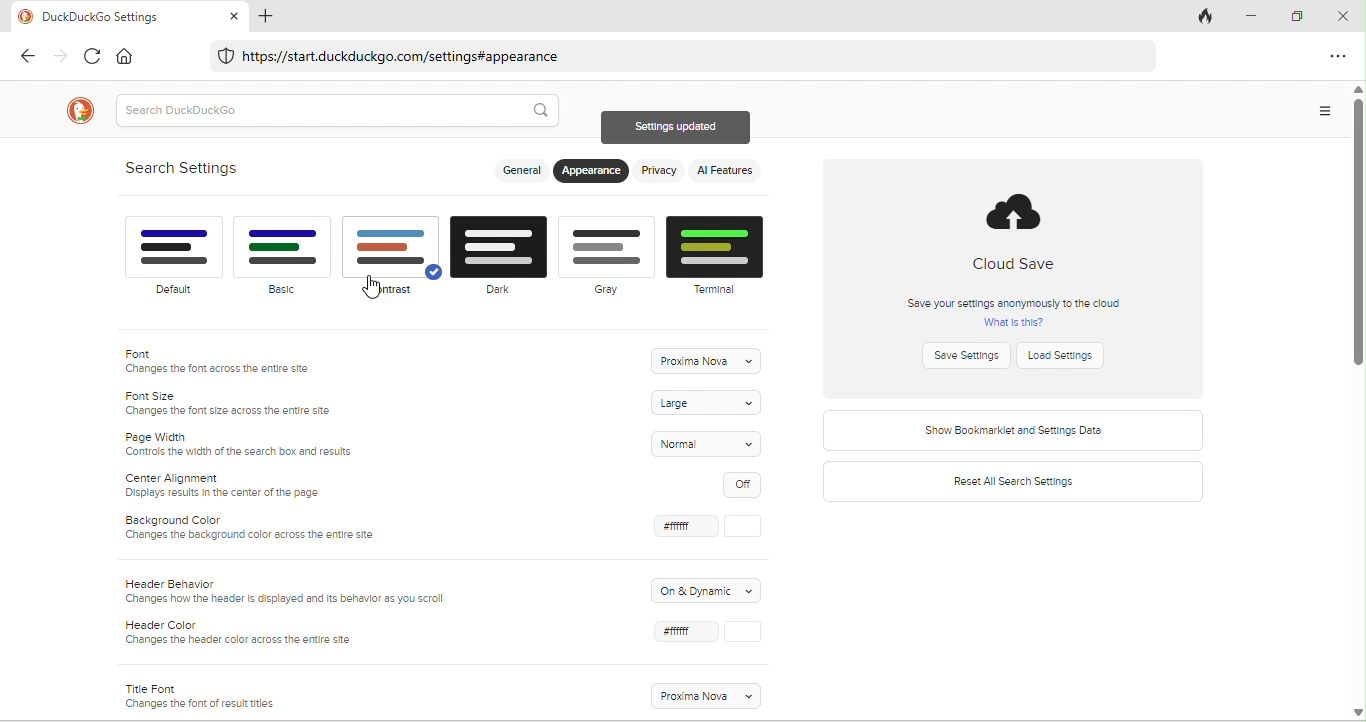 The width and height of the screenshot is (1366, 722). What do you see at coordinates (1015, 483) in the screenshot?
I see `reset all search settings` at bounding box center [1015, 483].